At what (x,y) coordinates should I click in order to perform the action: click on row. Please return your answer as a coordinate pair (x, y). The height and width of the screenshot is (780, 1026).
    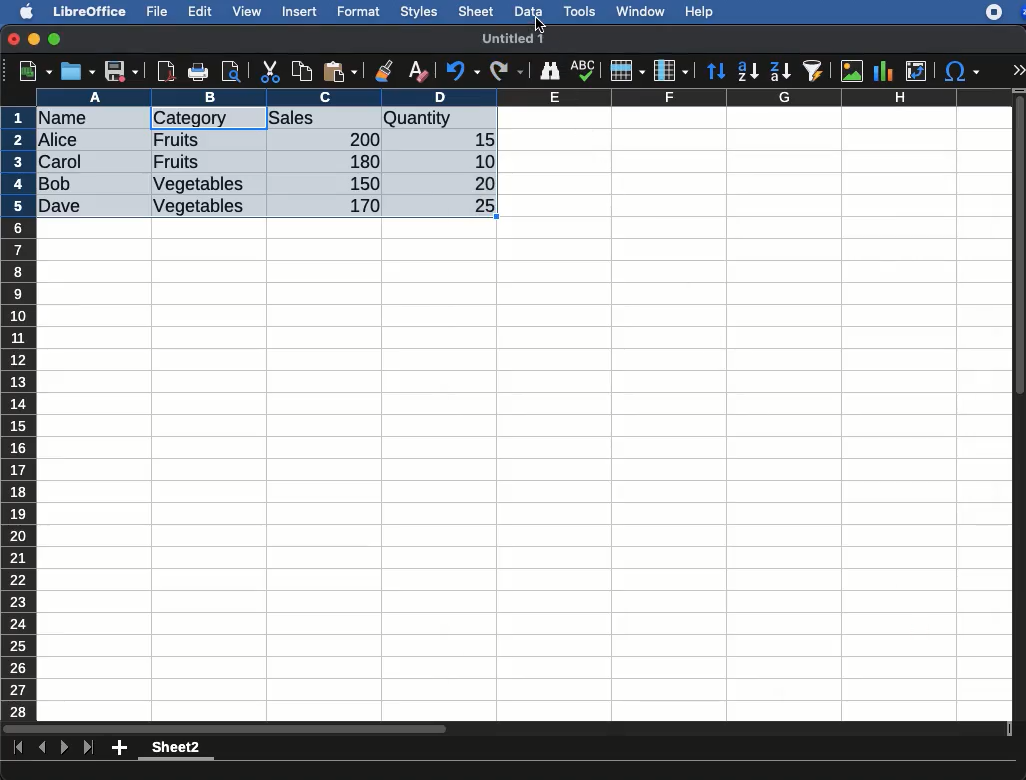
    Looking at the image, I should click on (626, 71).